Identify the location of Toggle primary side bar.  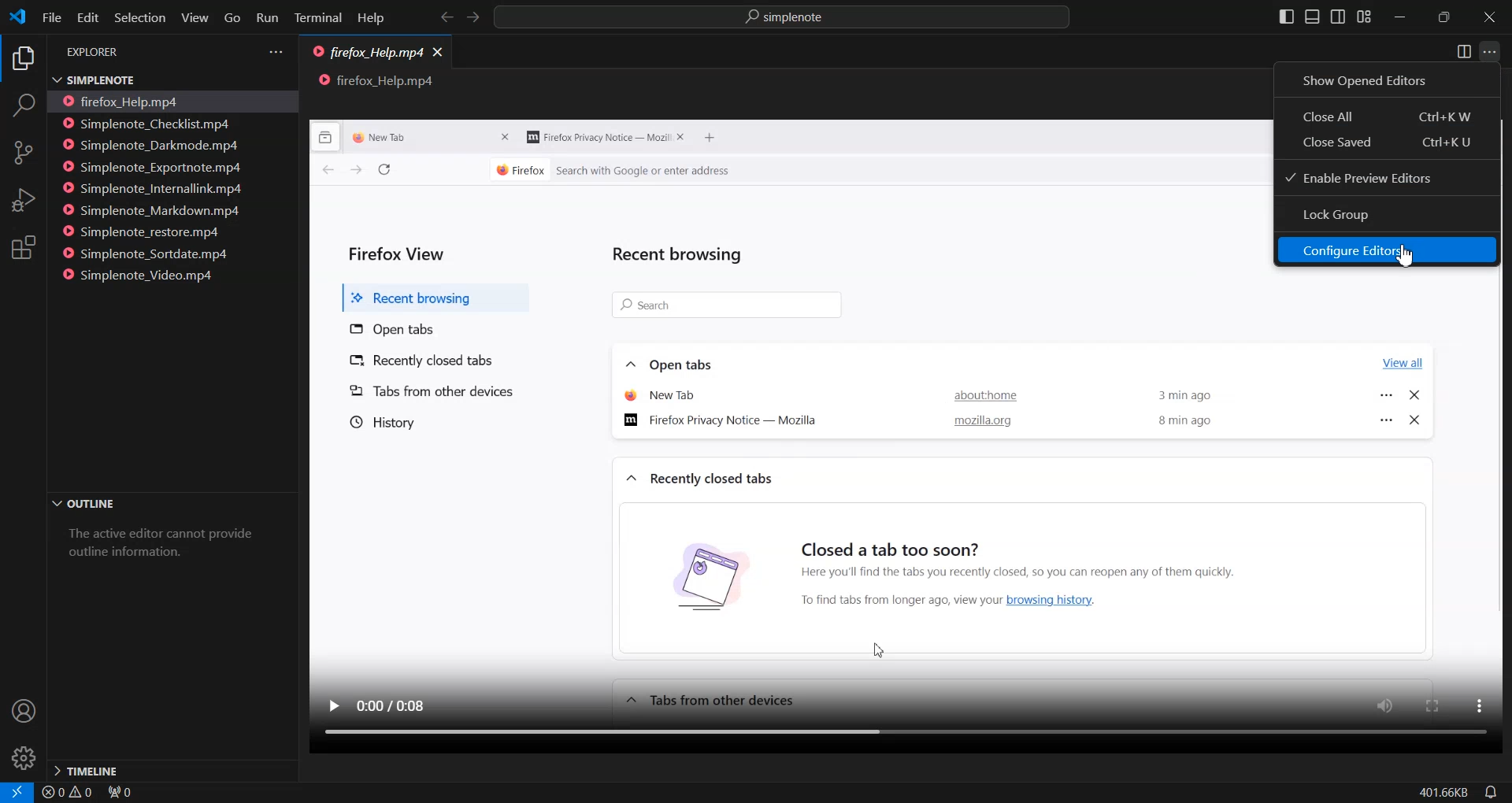
(1288, 17).